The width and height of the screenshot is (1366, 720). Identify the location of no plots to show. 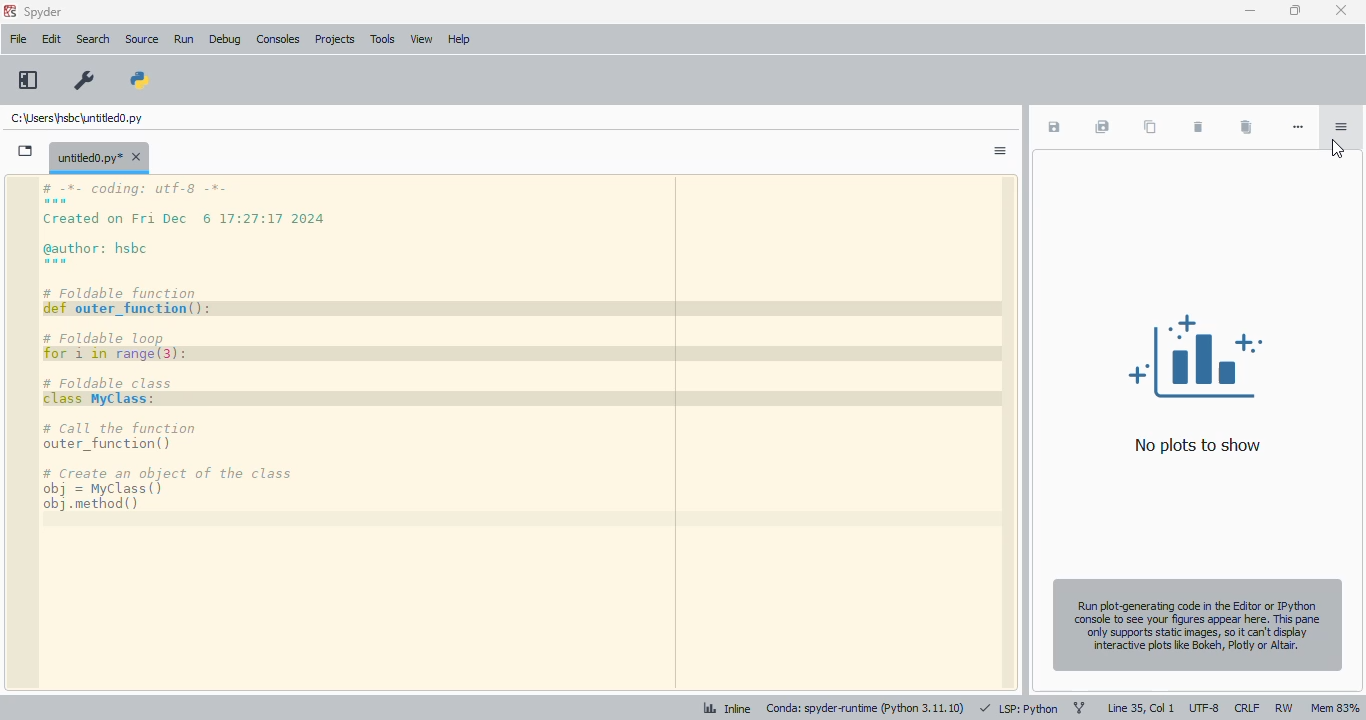
(1197, 383).